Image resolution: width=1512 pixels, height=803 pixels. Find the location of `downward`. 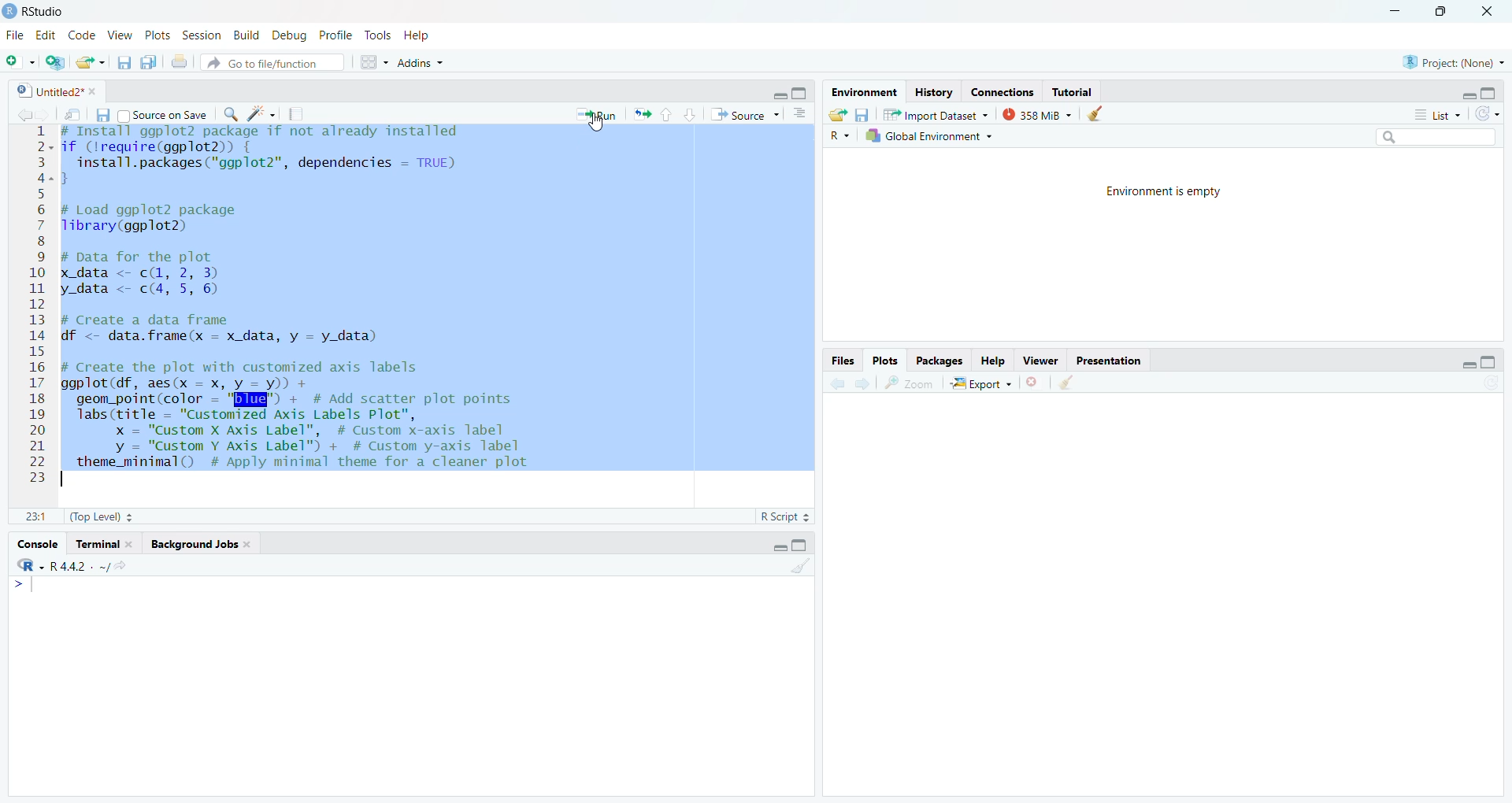

downward is located at coordinates (691, 117).